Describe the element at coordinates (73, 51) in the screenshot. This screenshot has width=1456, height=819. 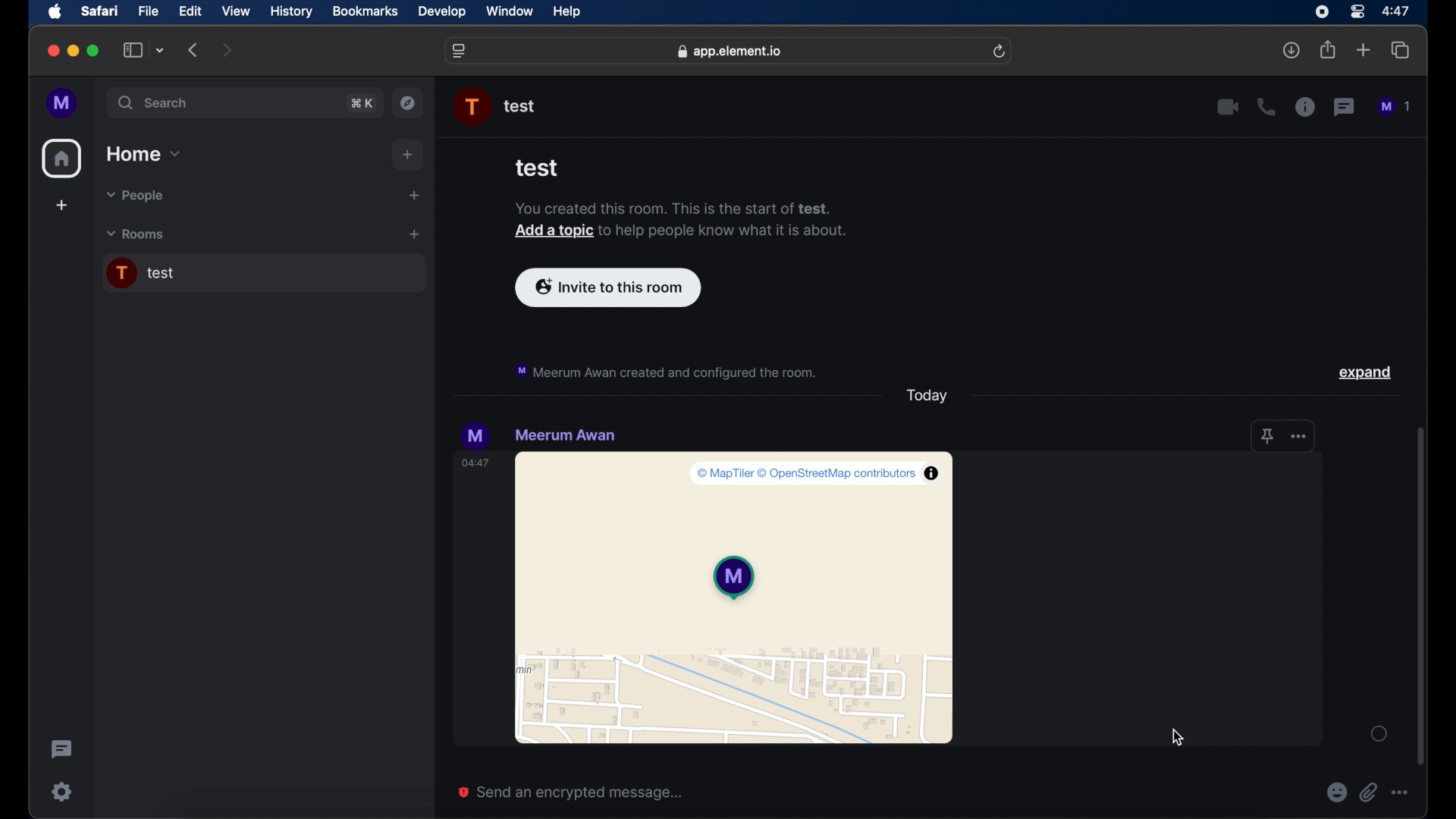
I see `minimize` at that location.